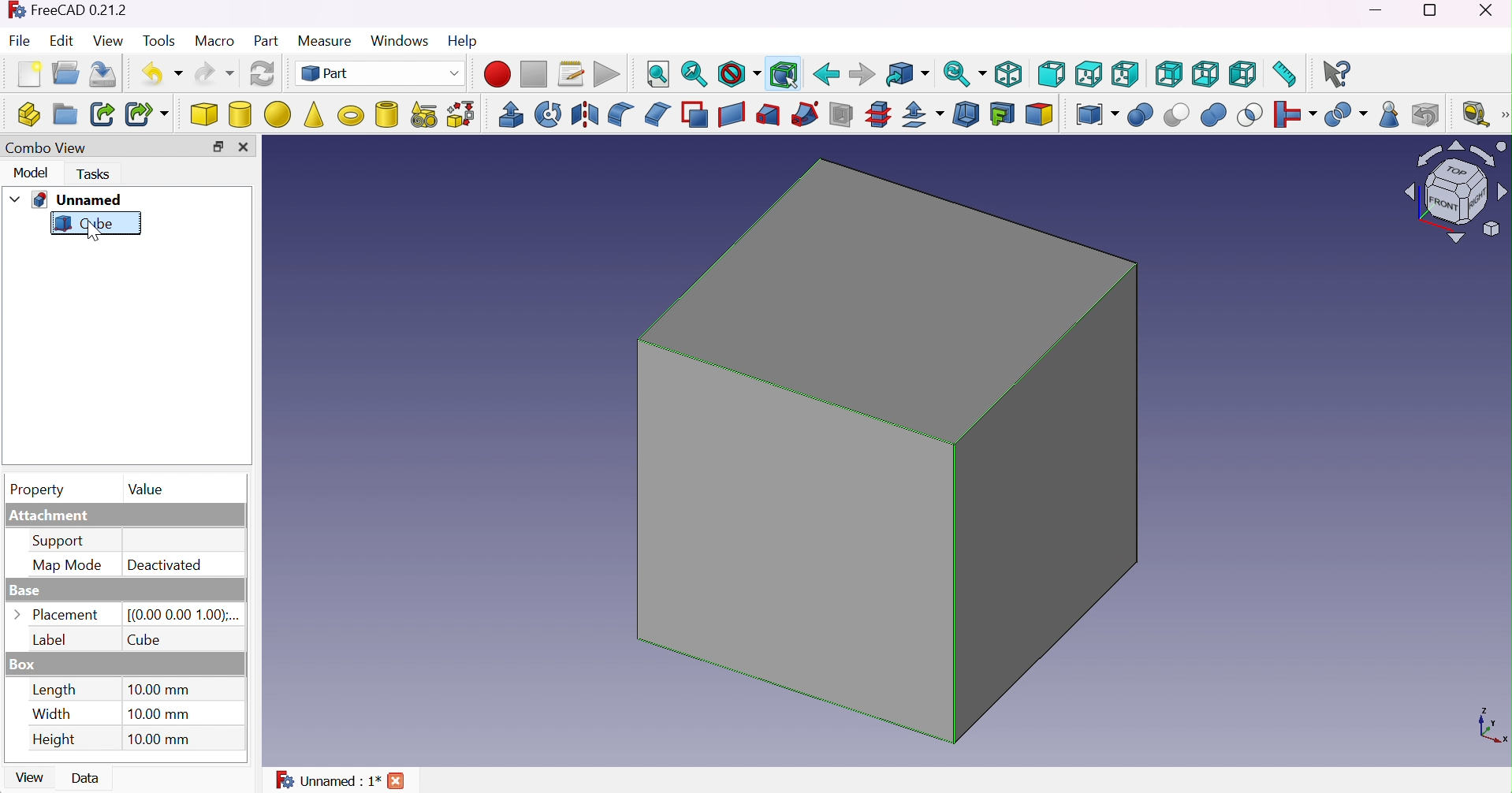  I want to click on Draw style, so click(740, 73).